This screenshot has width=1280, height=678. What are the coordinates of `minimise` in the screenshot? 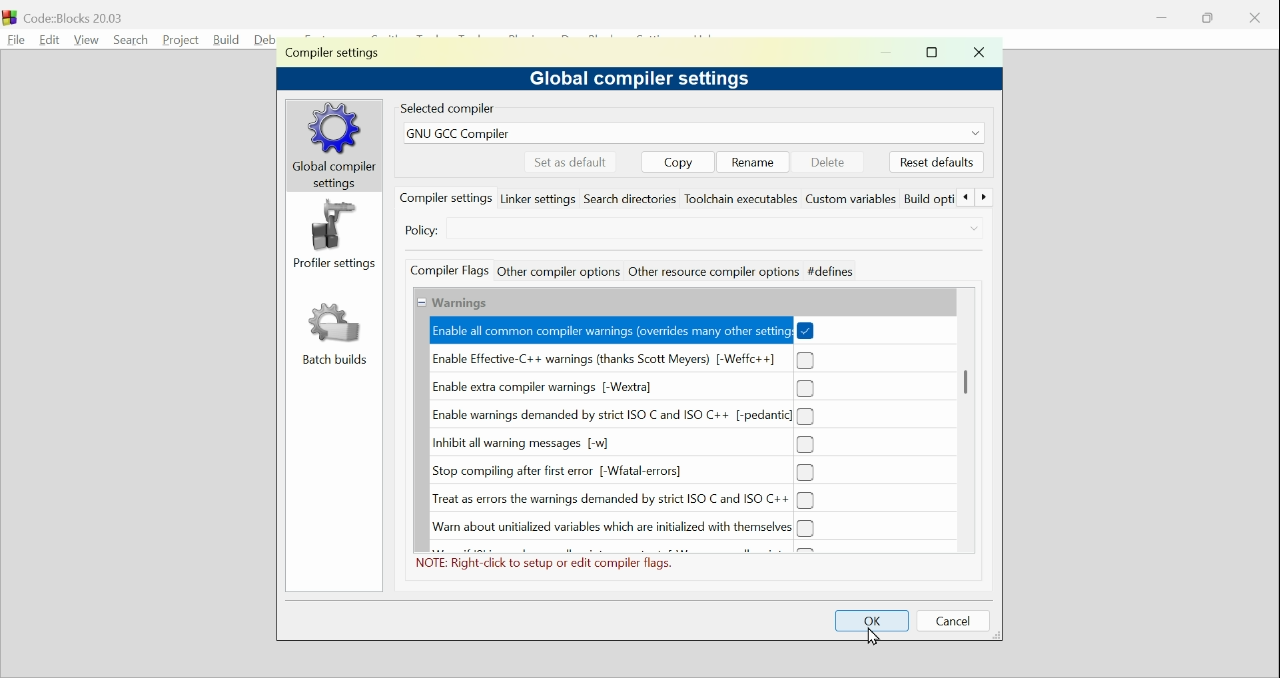 It's located at (1162, 17).